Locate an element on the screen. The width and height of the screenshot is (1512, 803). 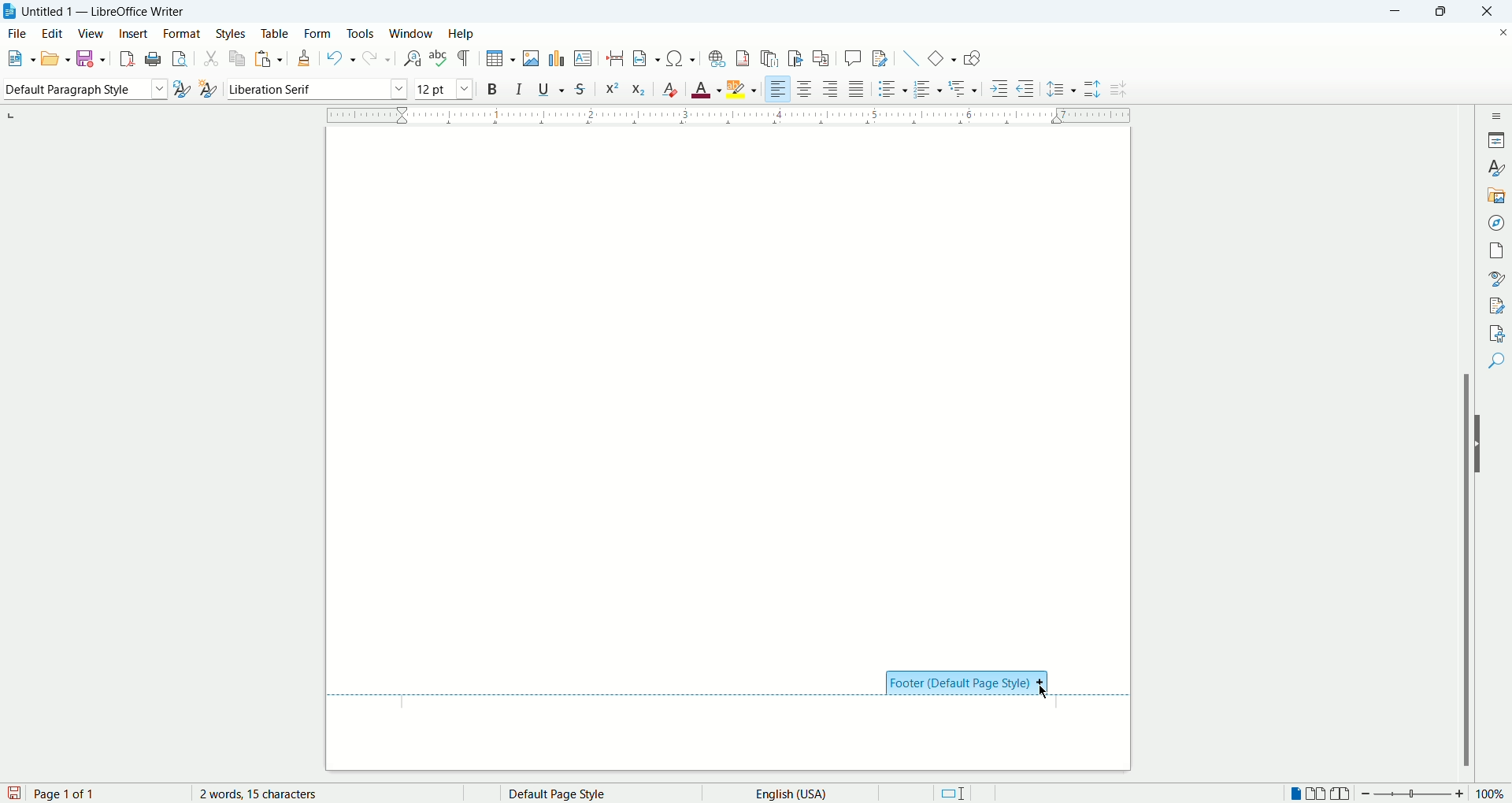
save is located at coordinates (14, 792).